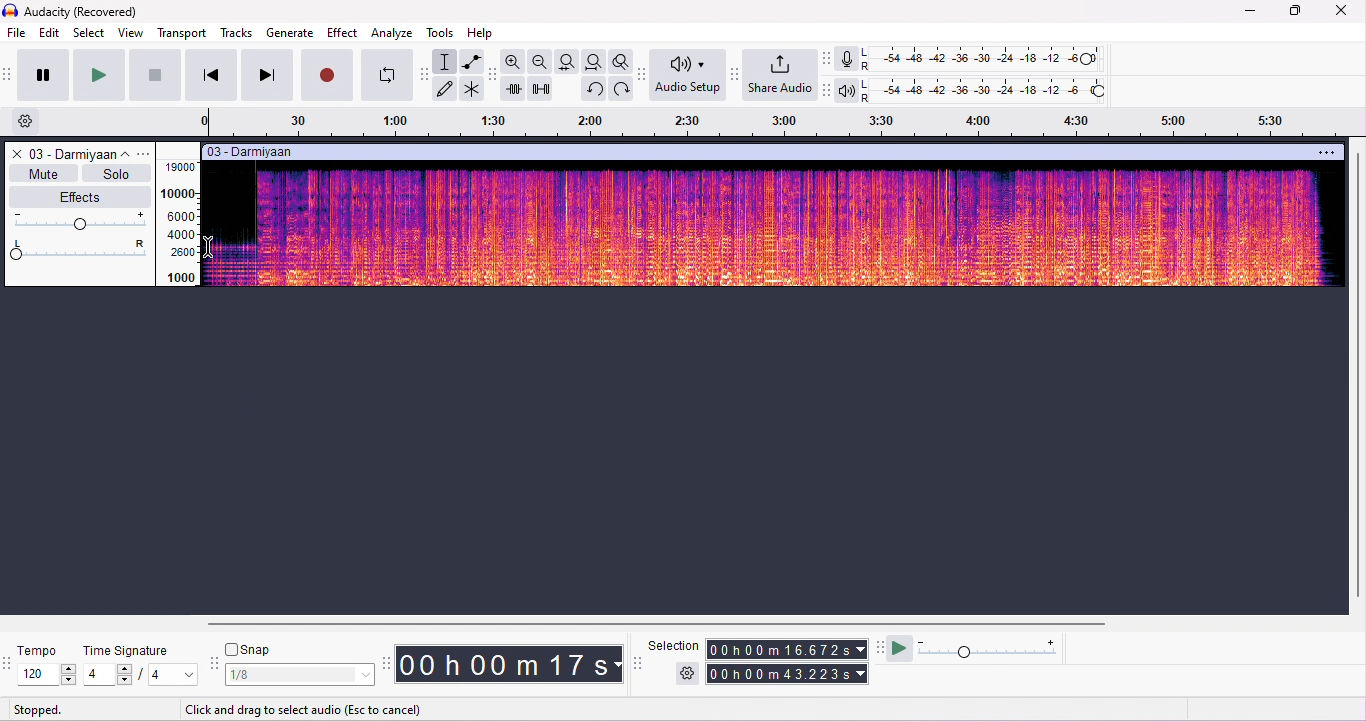 The width and height of the screenshot is (1366, 722). Describe the element at coordinates (16, 32) in the screenshot. I see `file` at that location.